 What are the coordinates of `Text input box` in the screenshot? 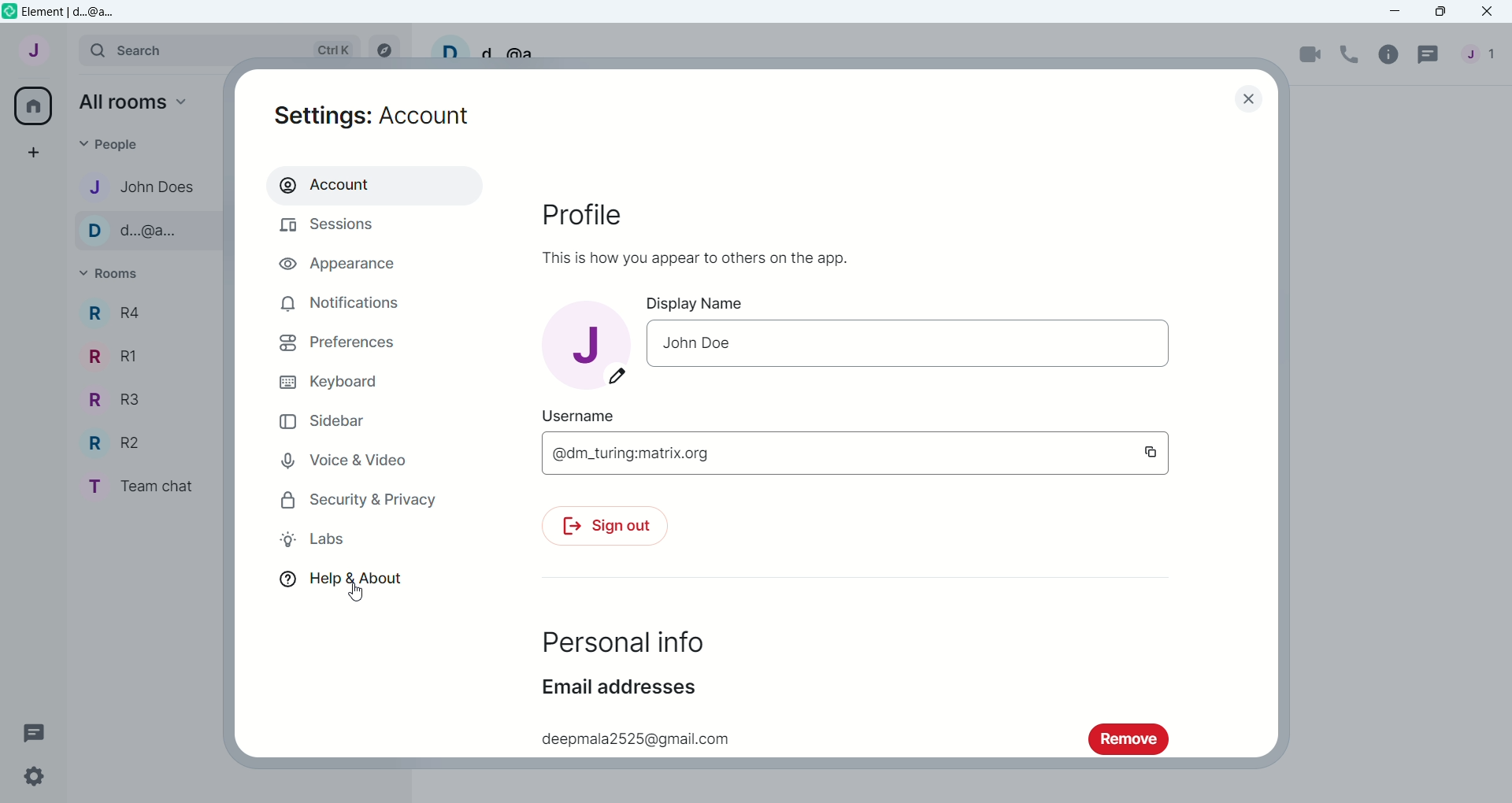 It's located at (910, 345).